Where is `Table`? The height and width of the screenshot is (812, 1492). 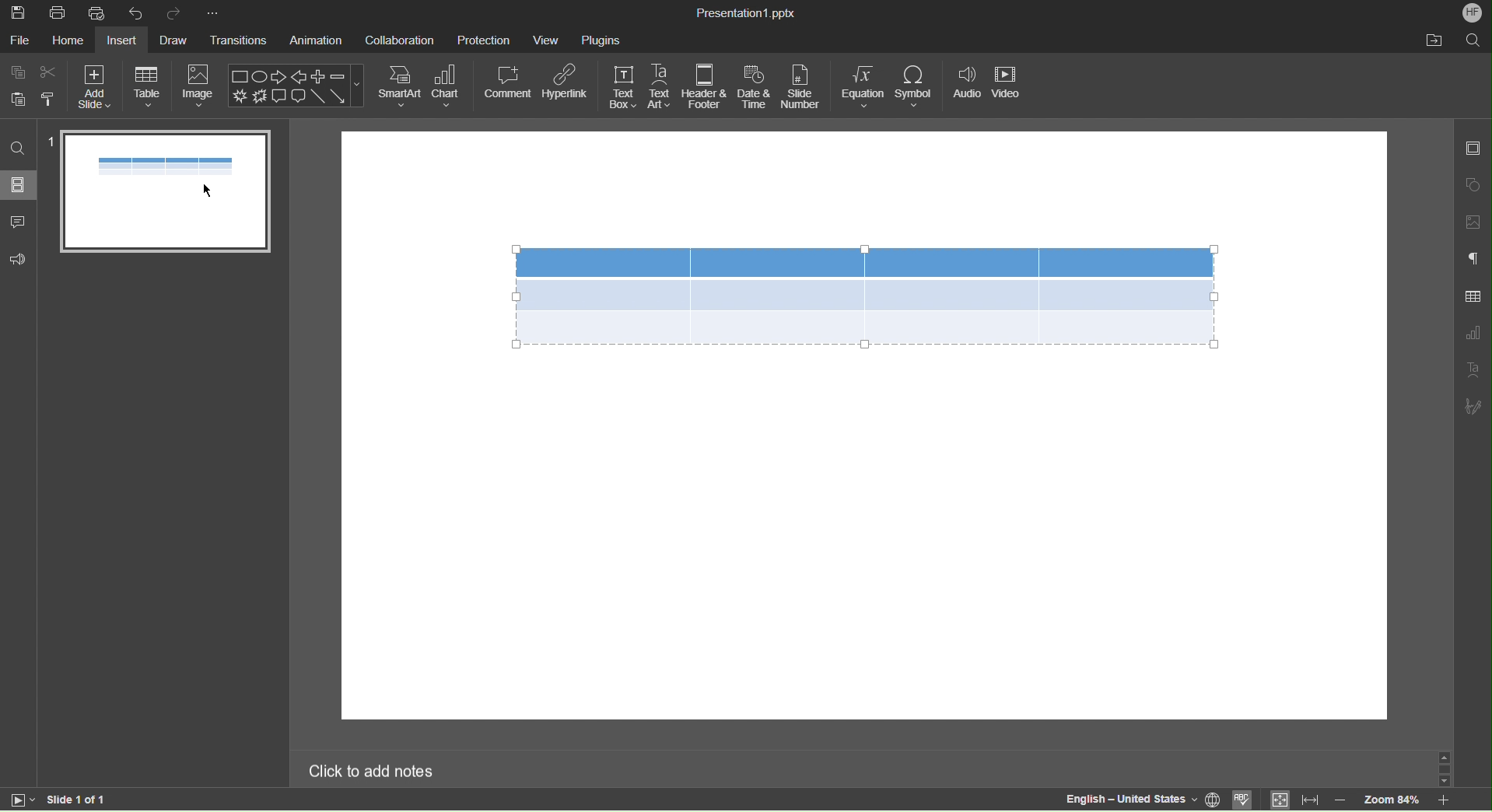
Table is located at coordinates (148, 86).